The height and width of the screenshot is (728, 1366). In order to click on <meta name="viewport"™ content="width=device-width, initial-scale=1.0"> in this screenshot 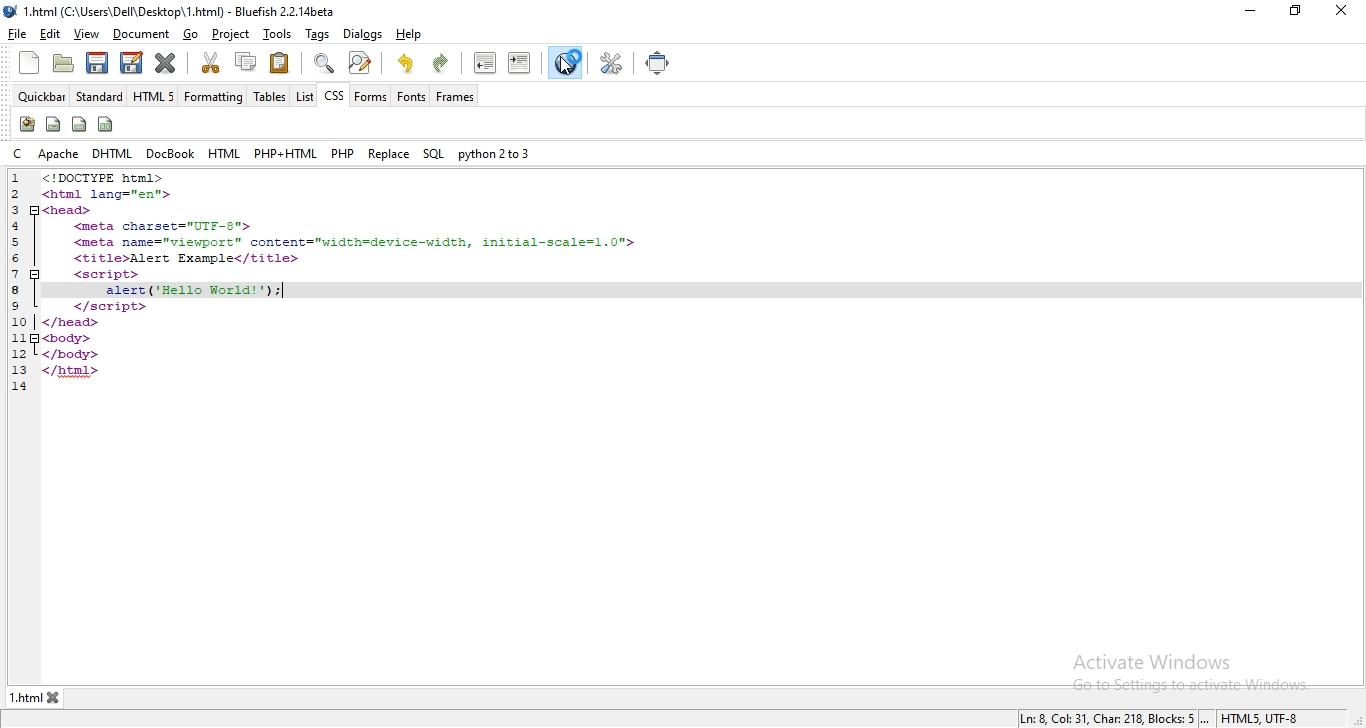, I will do `click(355, 242)`.